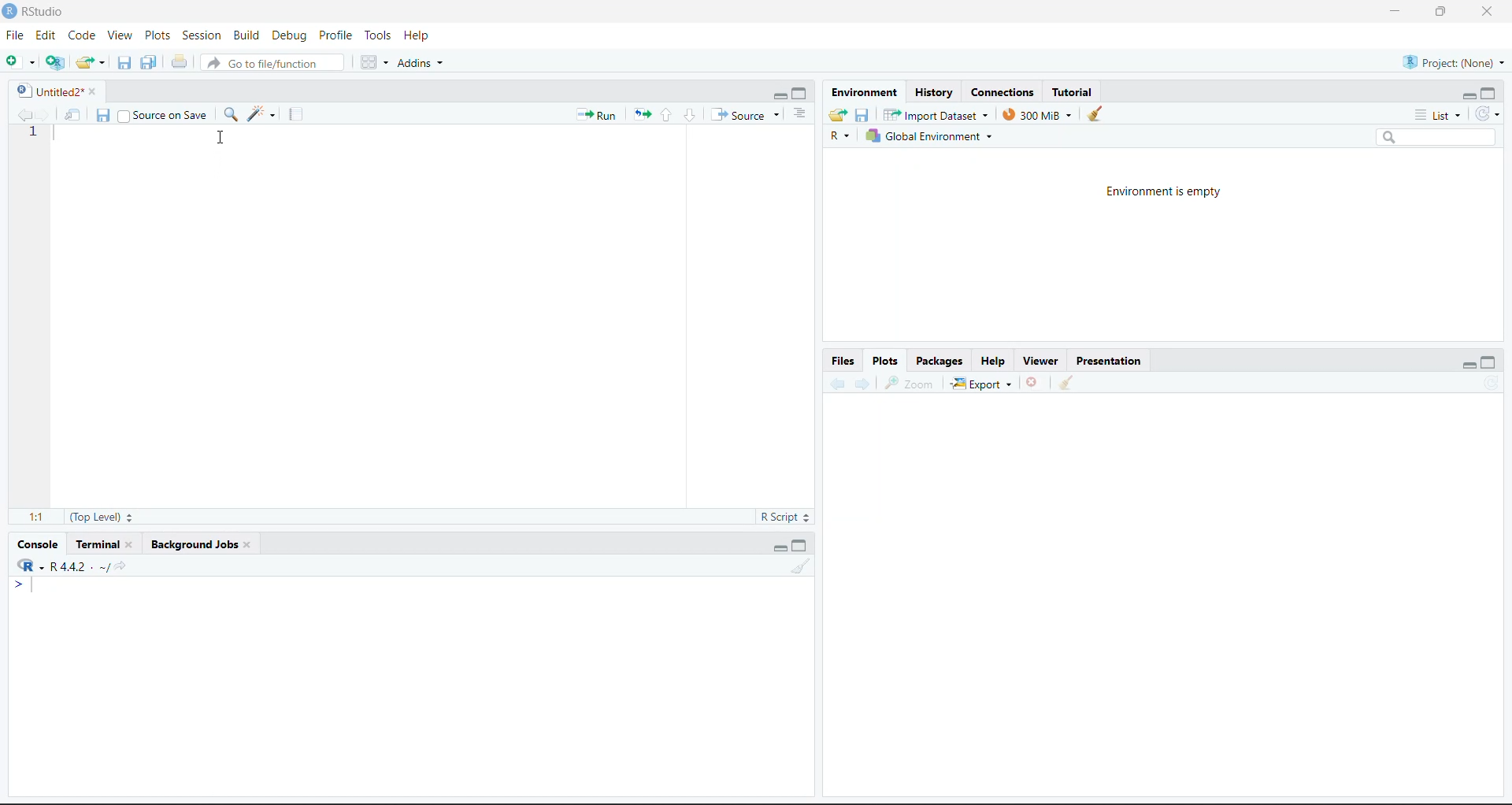 This screenshot has height=805, width=1512. Describe the element at coordinates (157, 35) in the screenshot. I see `Plots` at that location.